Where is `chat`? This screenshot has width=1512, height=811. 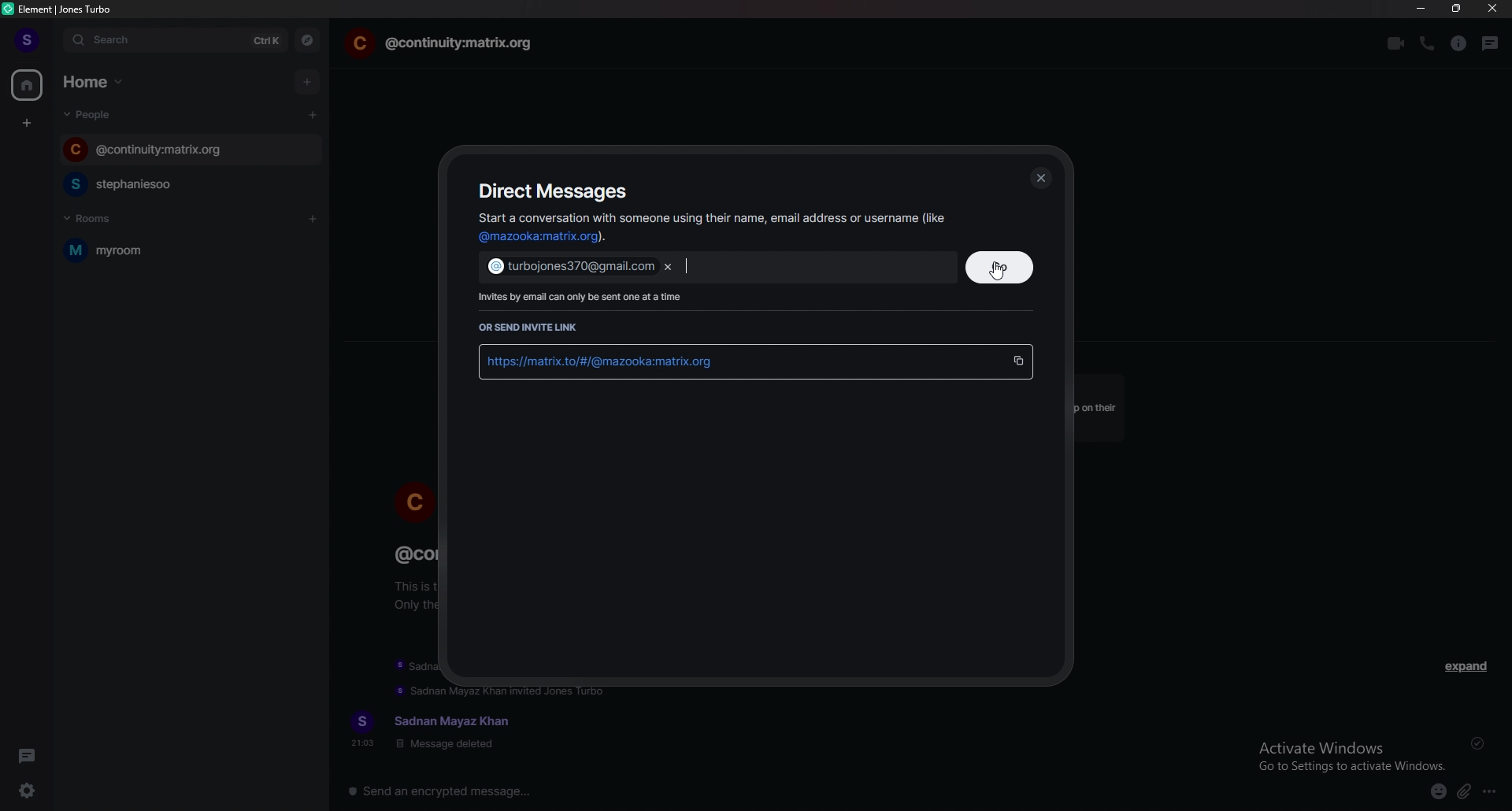
chat is located at coordinates (441, 44).